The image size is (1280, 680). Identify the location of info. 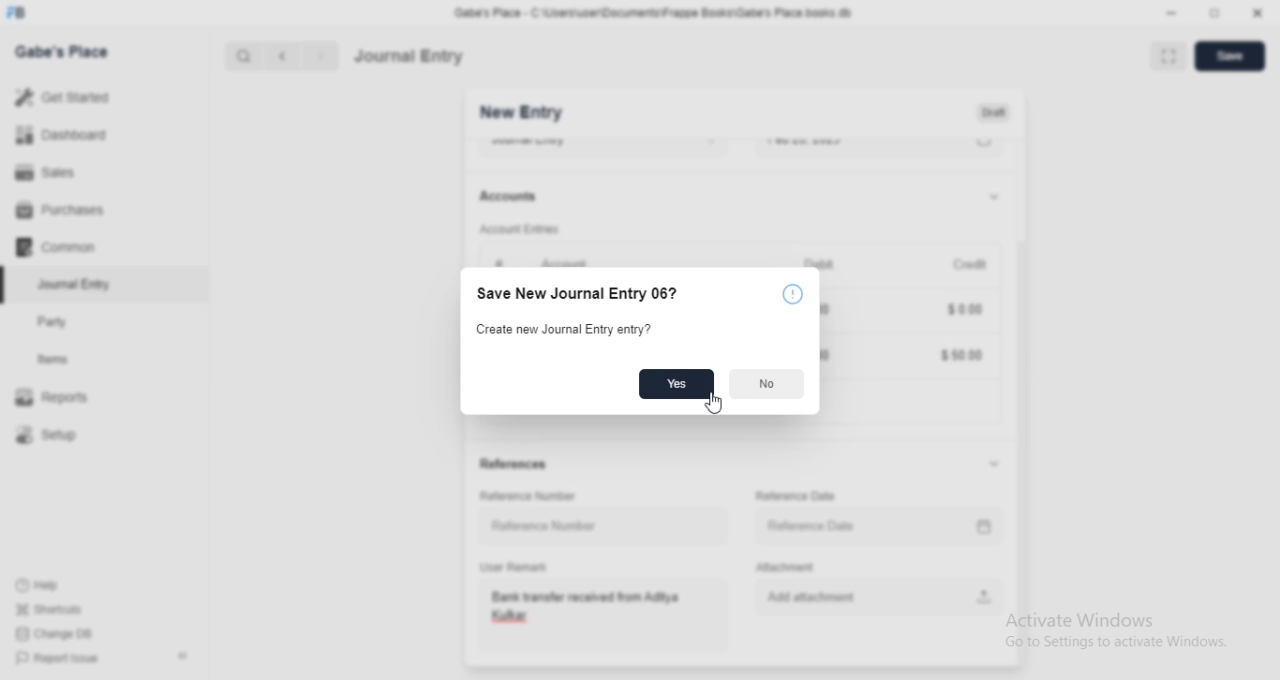
(794, 294).